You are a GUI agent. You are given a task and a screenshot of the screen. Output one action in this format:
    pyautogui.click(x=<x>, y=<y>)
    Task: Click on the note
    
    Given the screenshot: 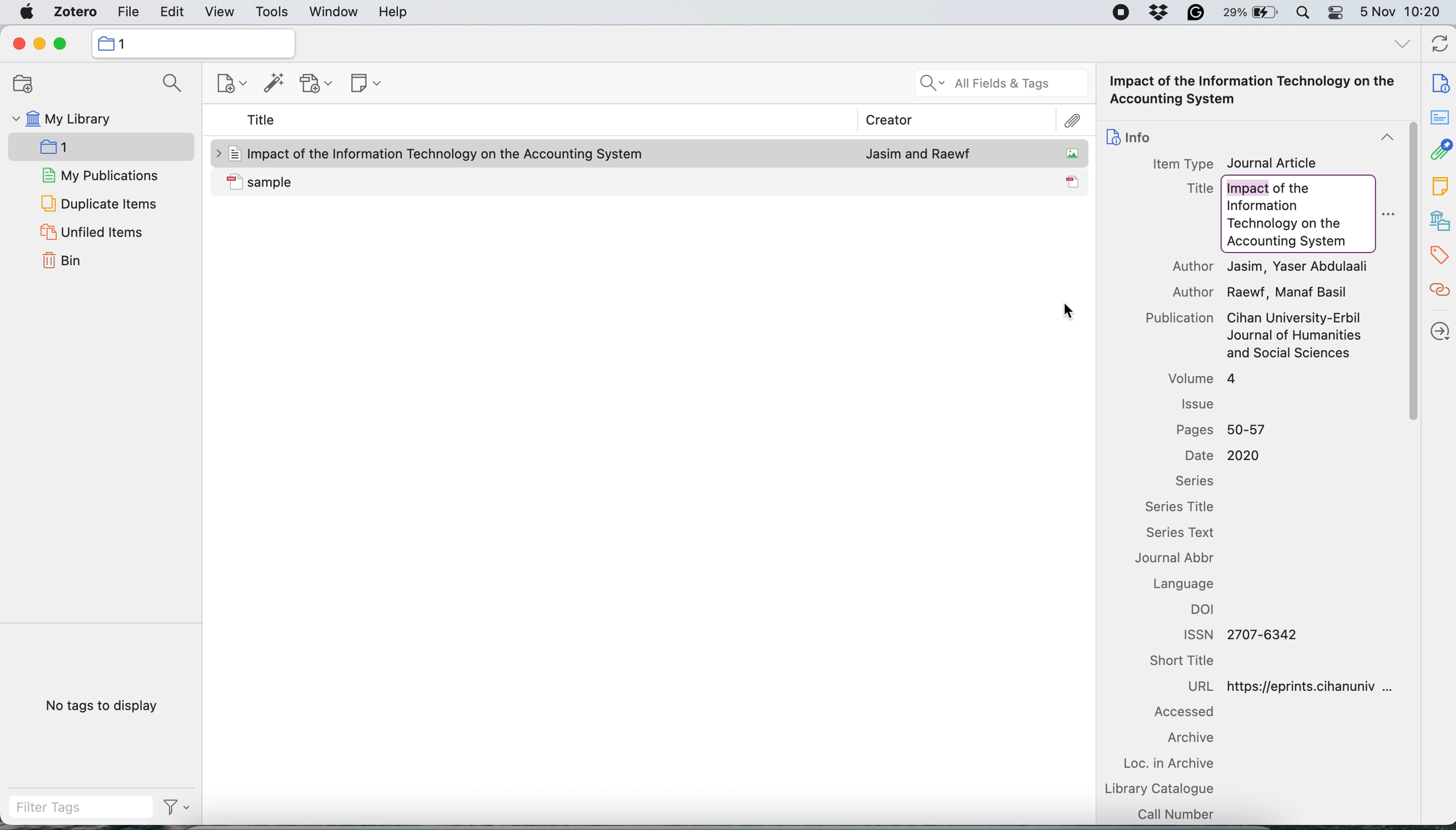 What is the action you would take?
    pyautogui.click(x=1439, y=186)
    